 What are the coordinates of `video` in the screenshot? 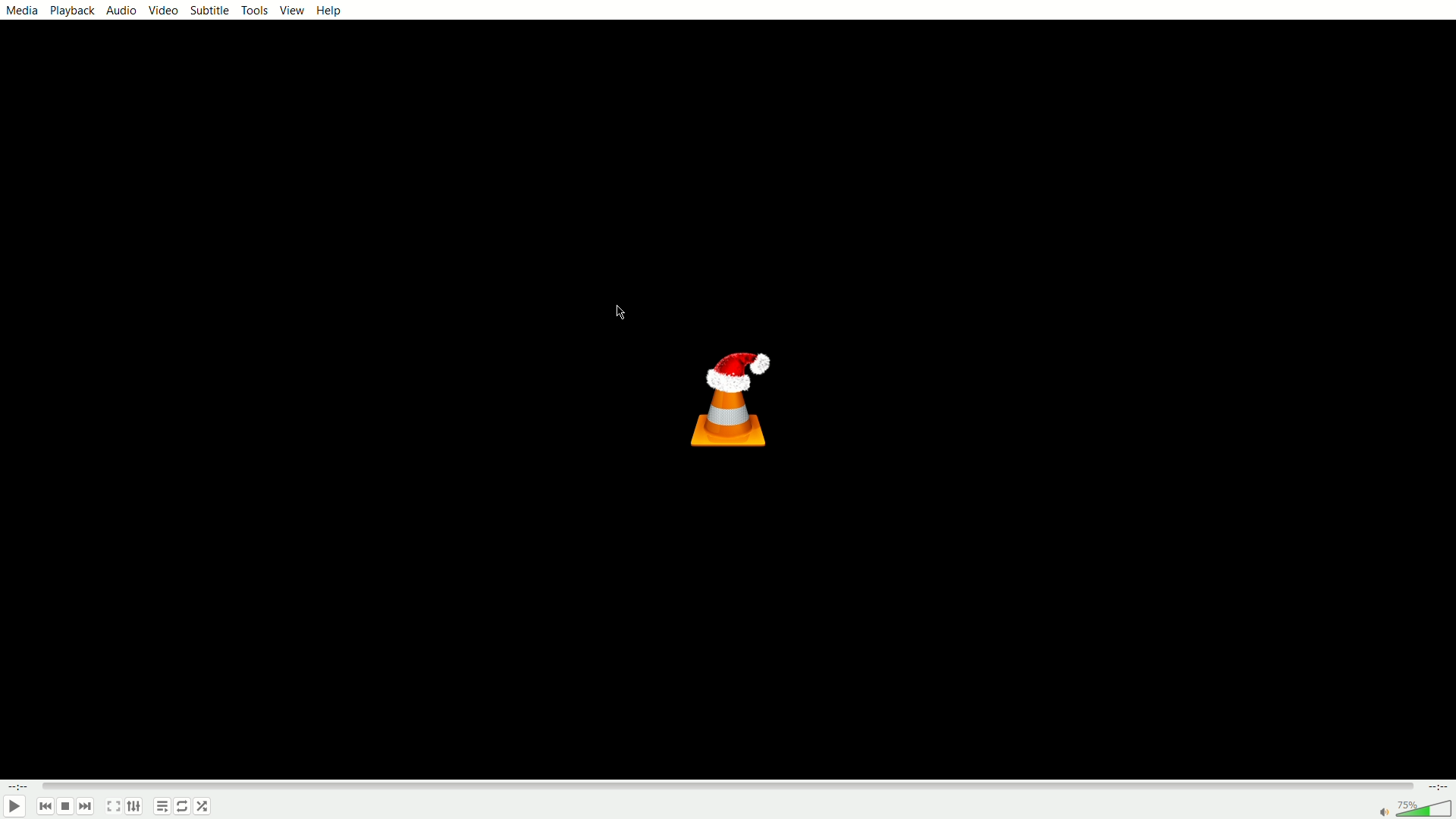 It's located at (165, 10).